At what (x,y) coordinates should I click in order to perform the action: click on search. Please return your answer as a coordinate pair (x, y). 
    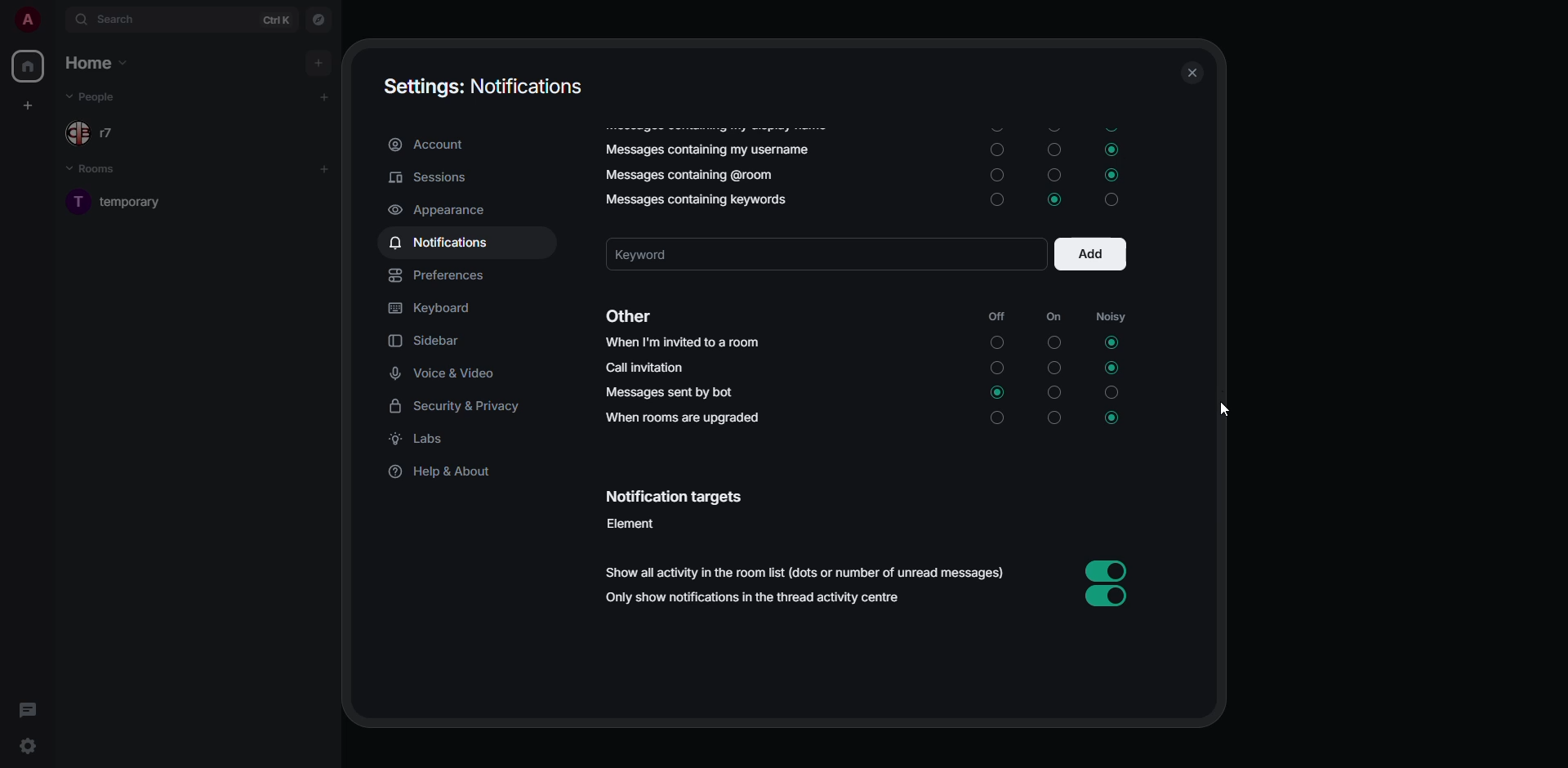
    Looking at the image, I should click on (114, 20).